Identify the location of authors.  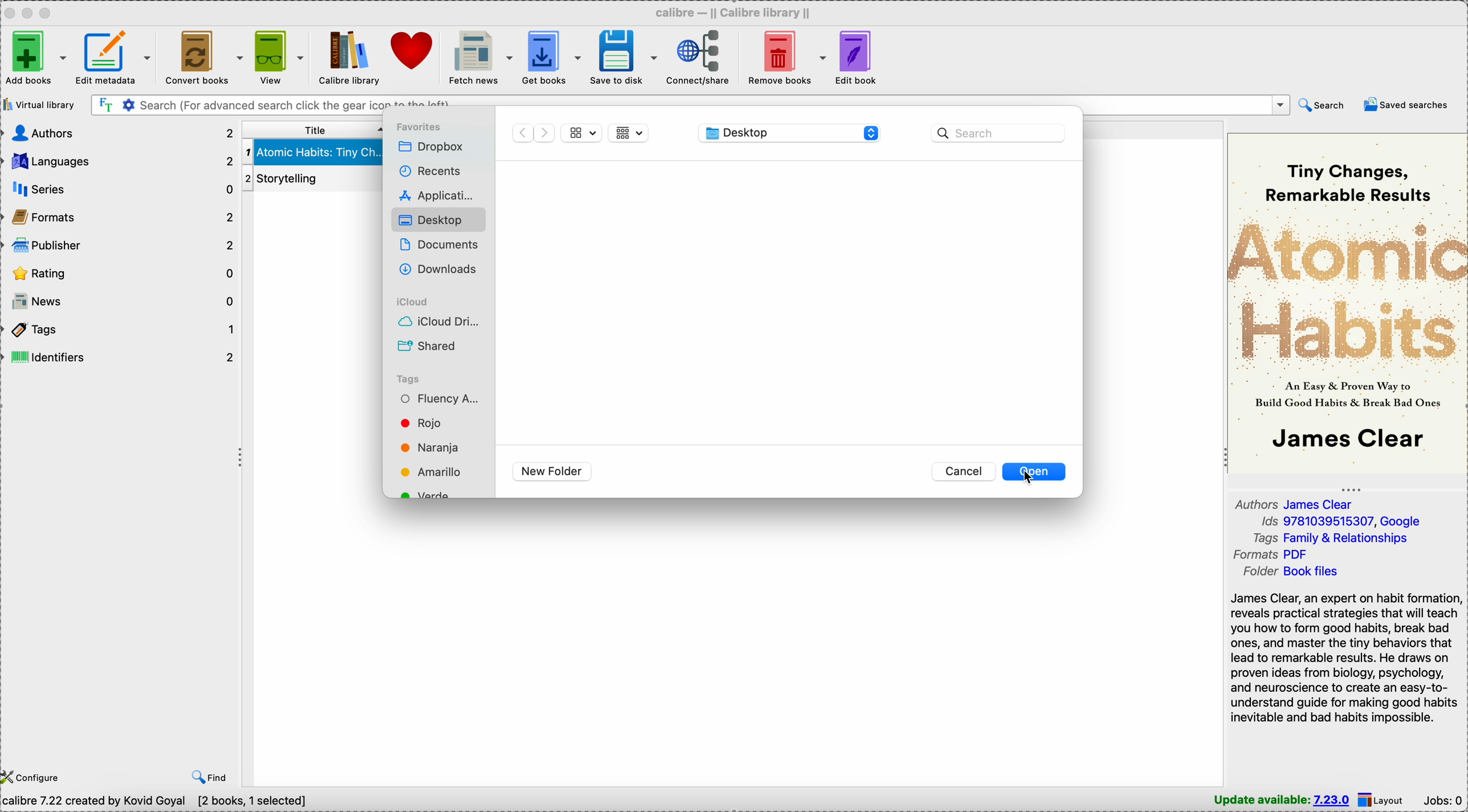
(119, 132).